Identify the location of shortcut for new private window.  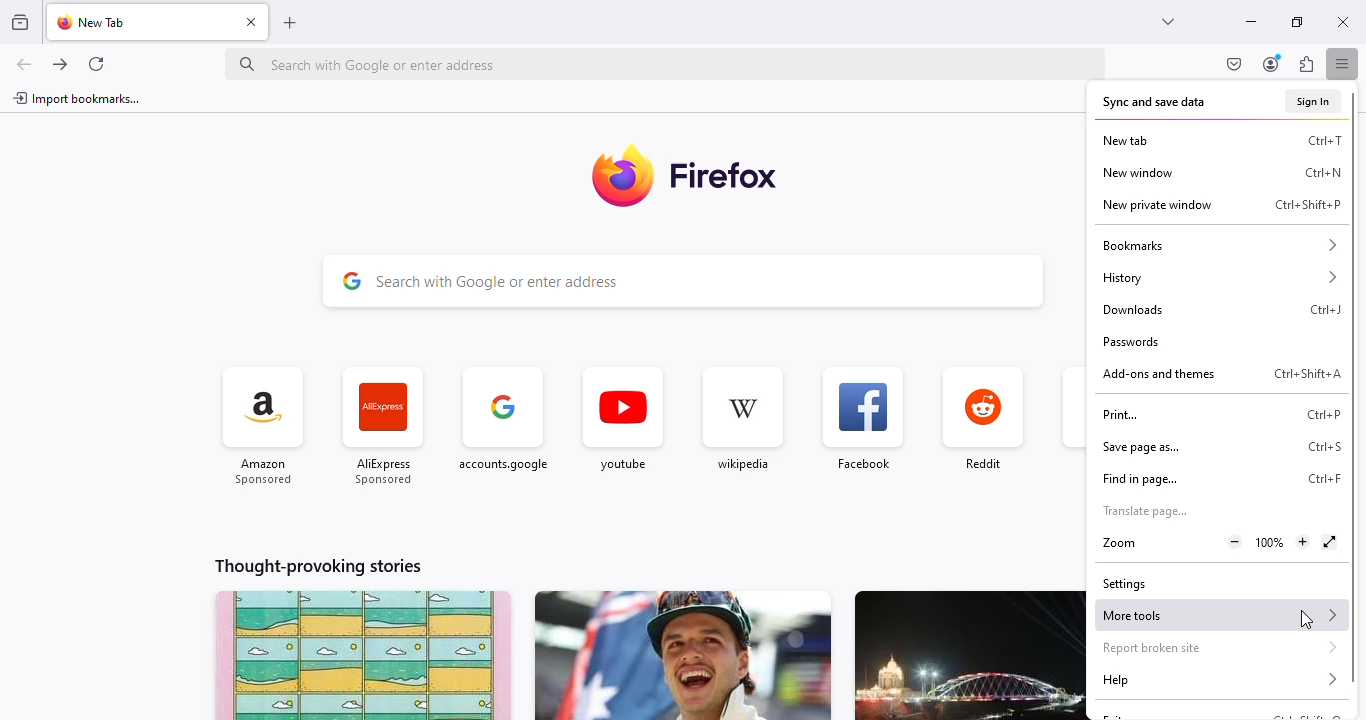
(1308, 205).